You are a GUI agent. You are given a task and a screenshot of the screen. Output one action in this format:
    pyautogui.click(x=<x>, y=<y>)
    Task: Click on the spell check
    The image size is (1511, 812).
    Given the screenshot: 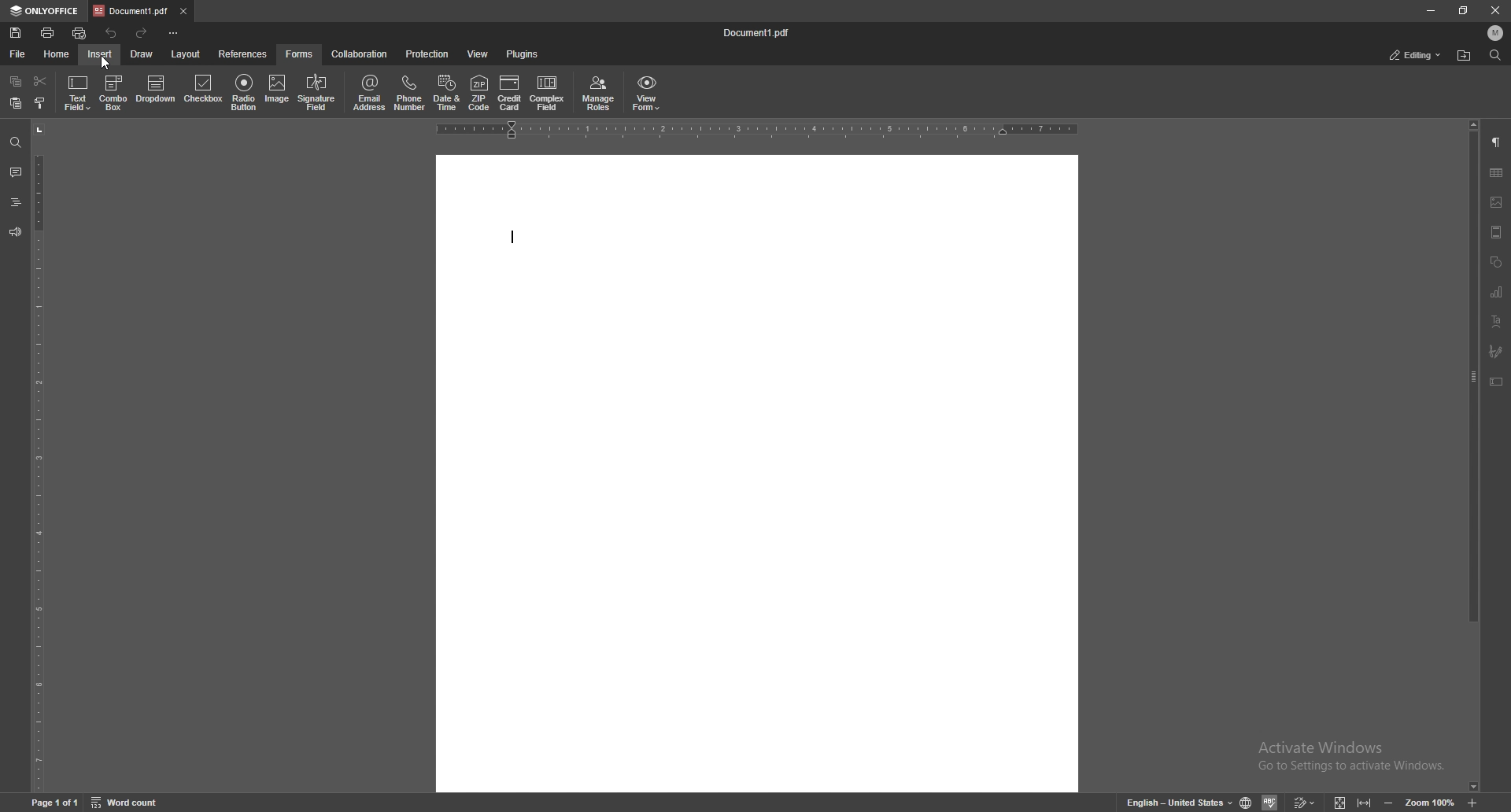 What is the action you would take?
    pyautogui.click(x=1269, y=802)
    